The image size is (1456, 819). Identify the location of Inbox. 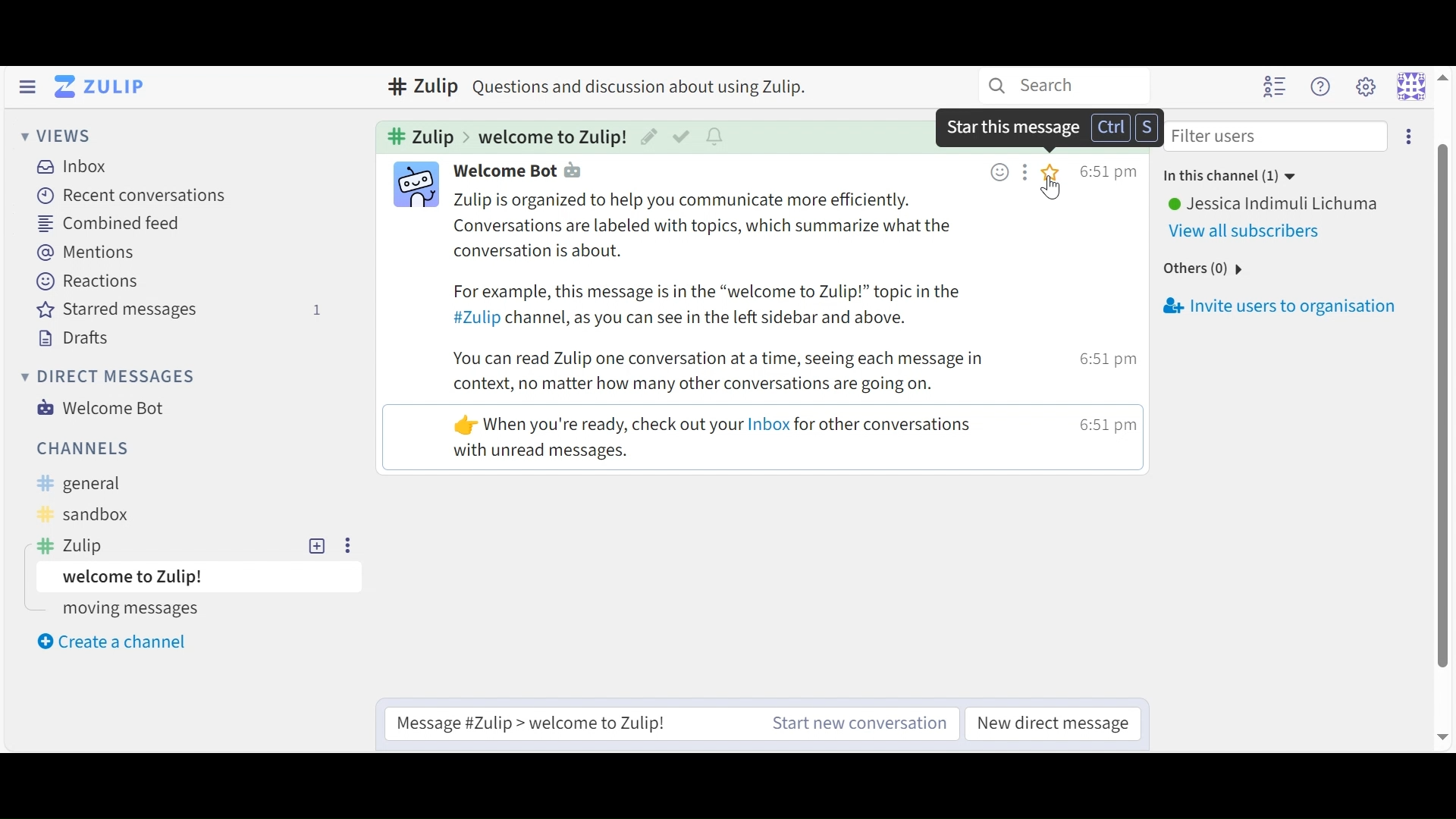
(71, 166).